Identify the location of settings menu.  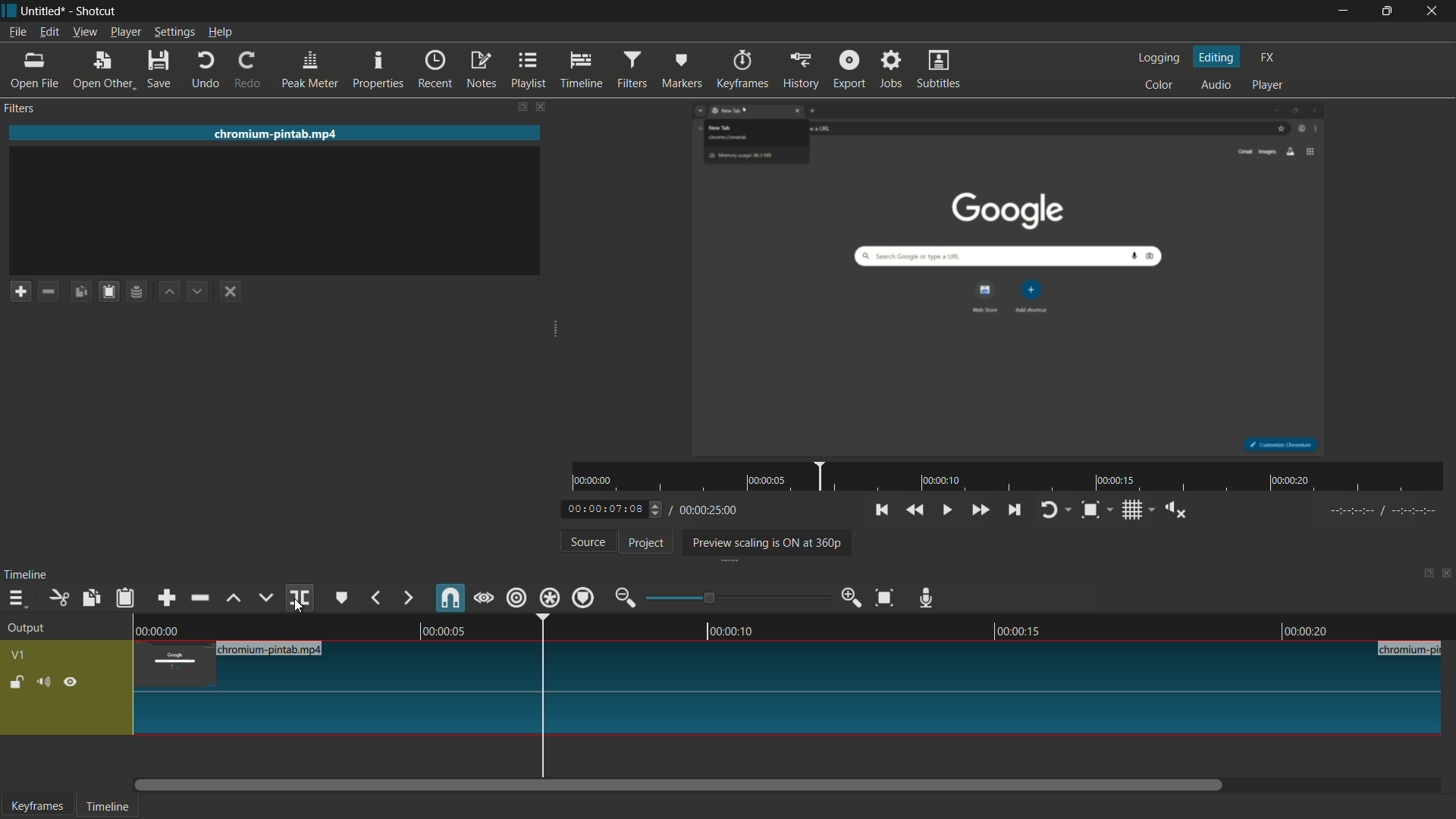
(174, 33).